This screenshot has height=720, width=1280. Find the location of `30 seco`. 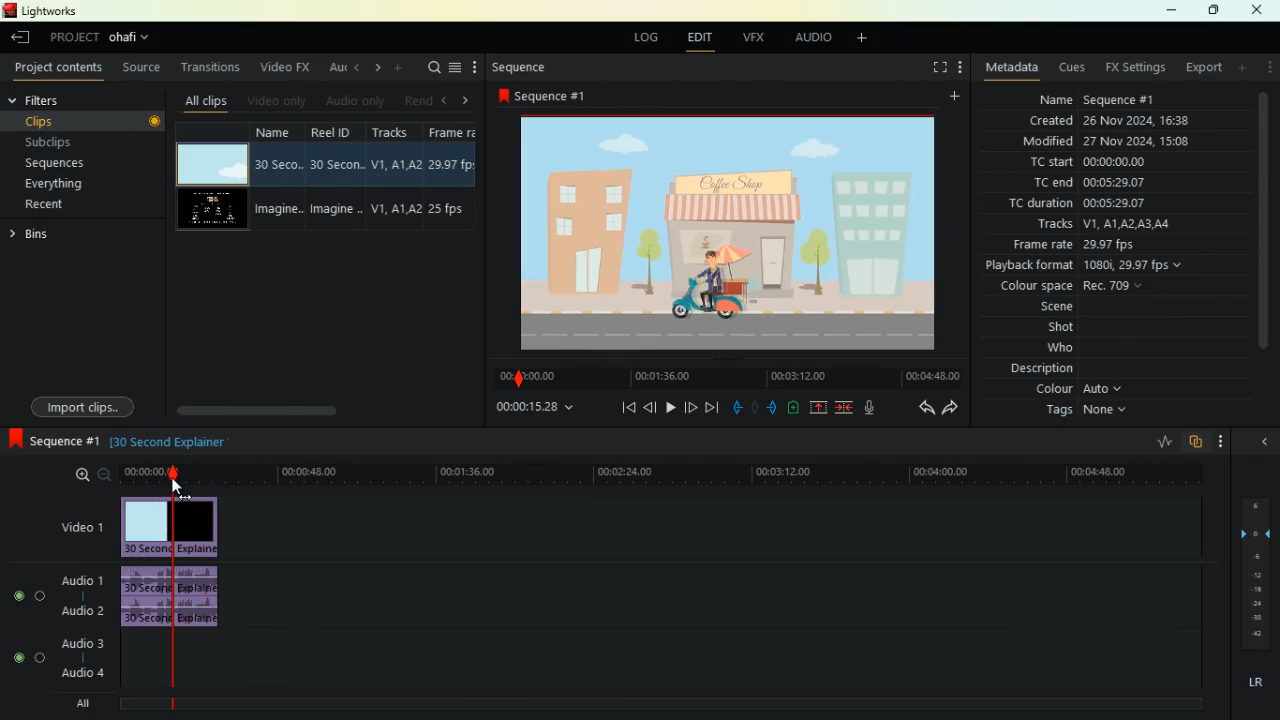

30 seco is located at coordinates (277, 166).